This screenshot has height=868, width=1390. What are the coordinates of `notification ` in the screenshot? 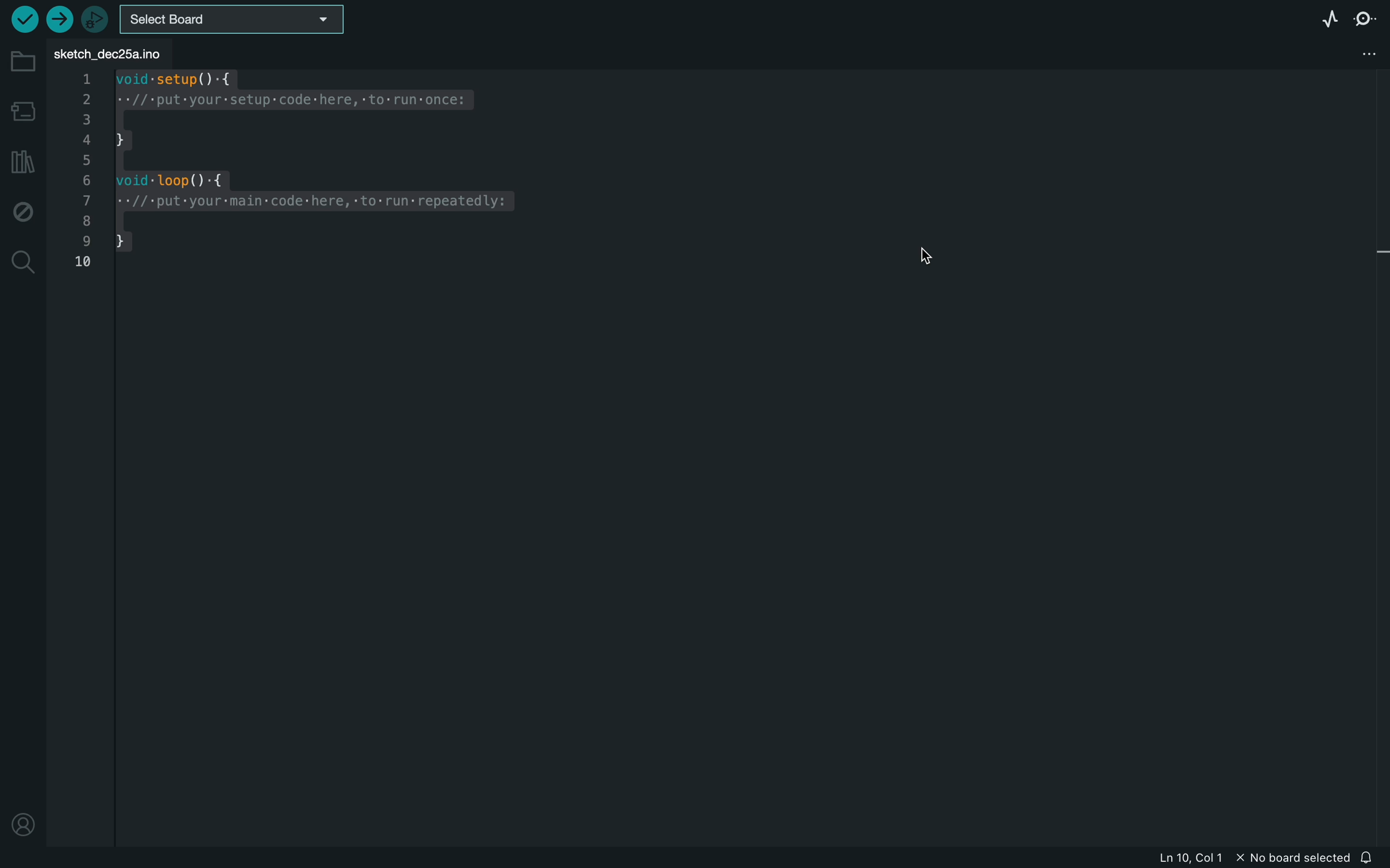 It's located at (1372, 854).